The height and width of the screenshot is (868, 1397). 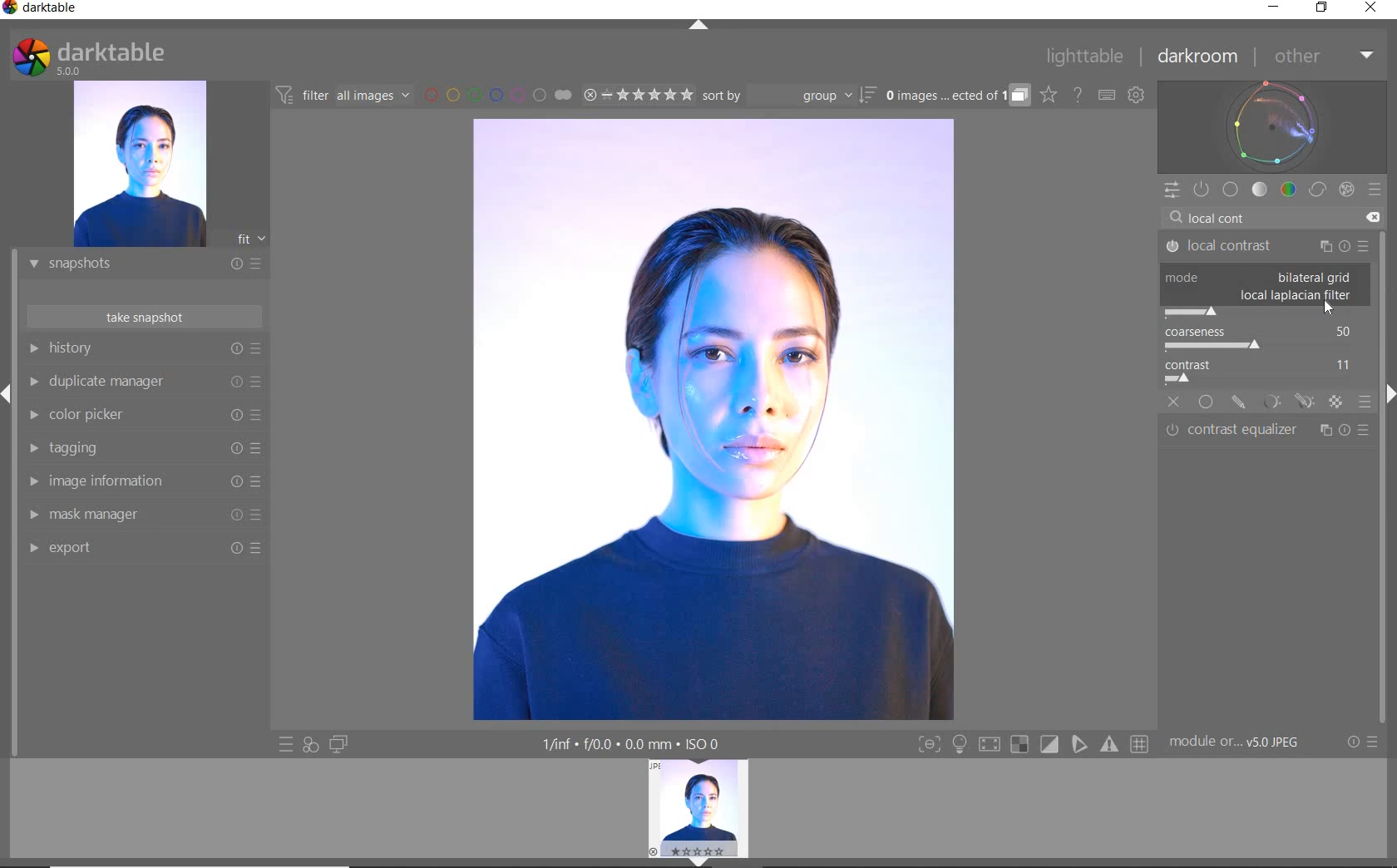 I want to click on Search, so click(x=1176, y=218).